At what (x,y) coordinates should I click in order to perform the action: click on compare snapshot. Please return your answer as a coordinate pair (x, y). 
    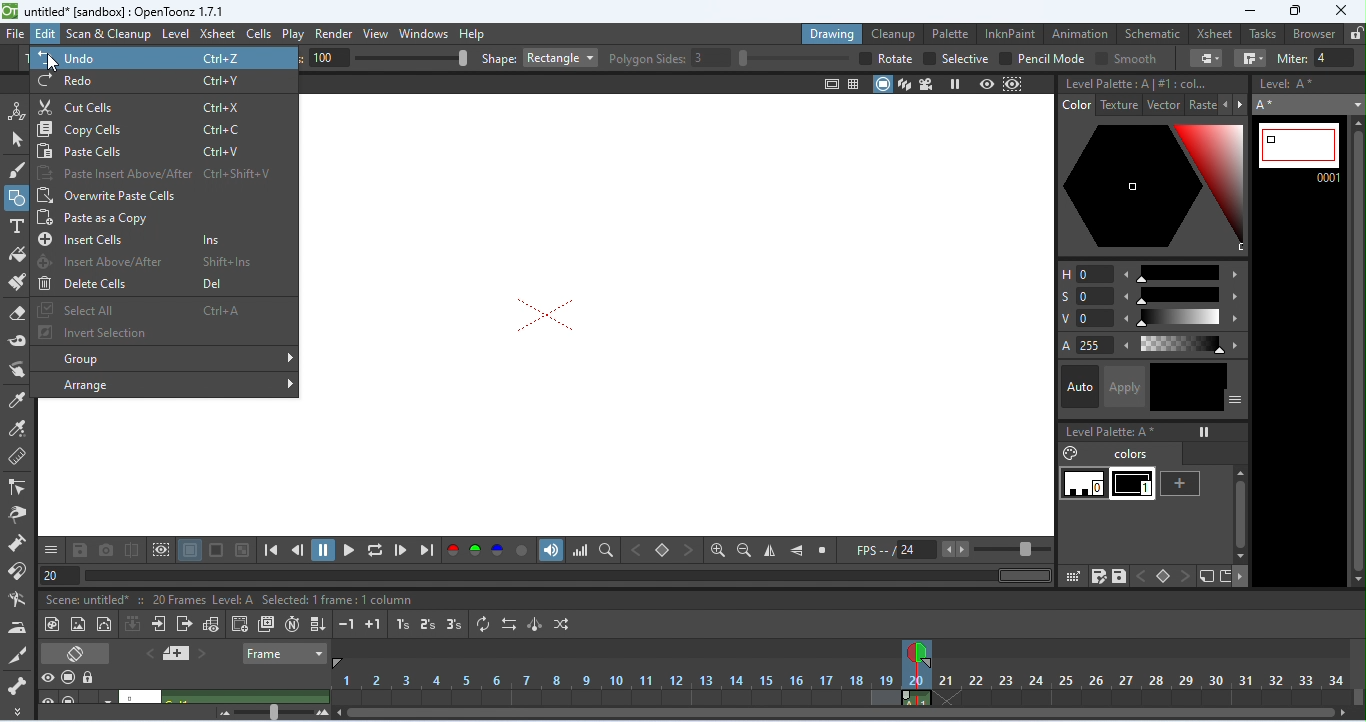
    Looking at the image, I should click on (131, 550).